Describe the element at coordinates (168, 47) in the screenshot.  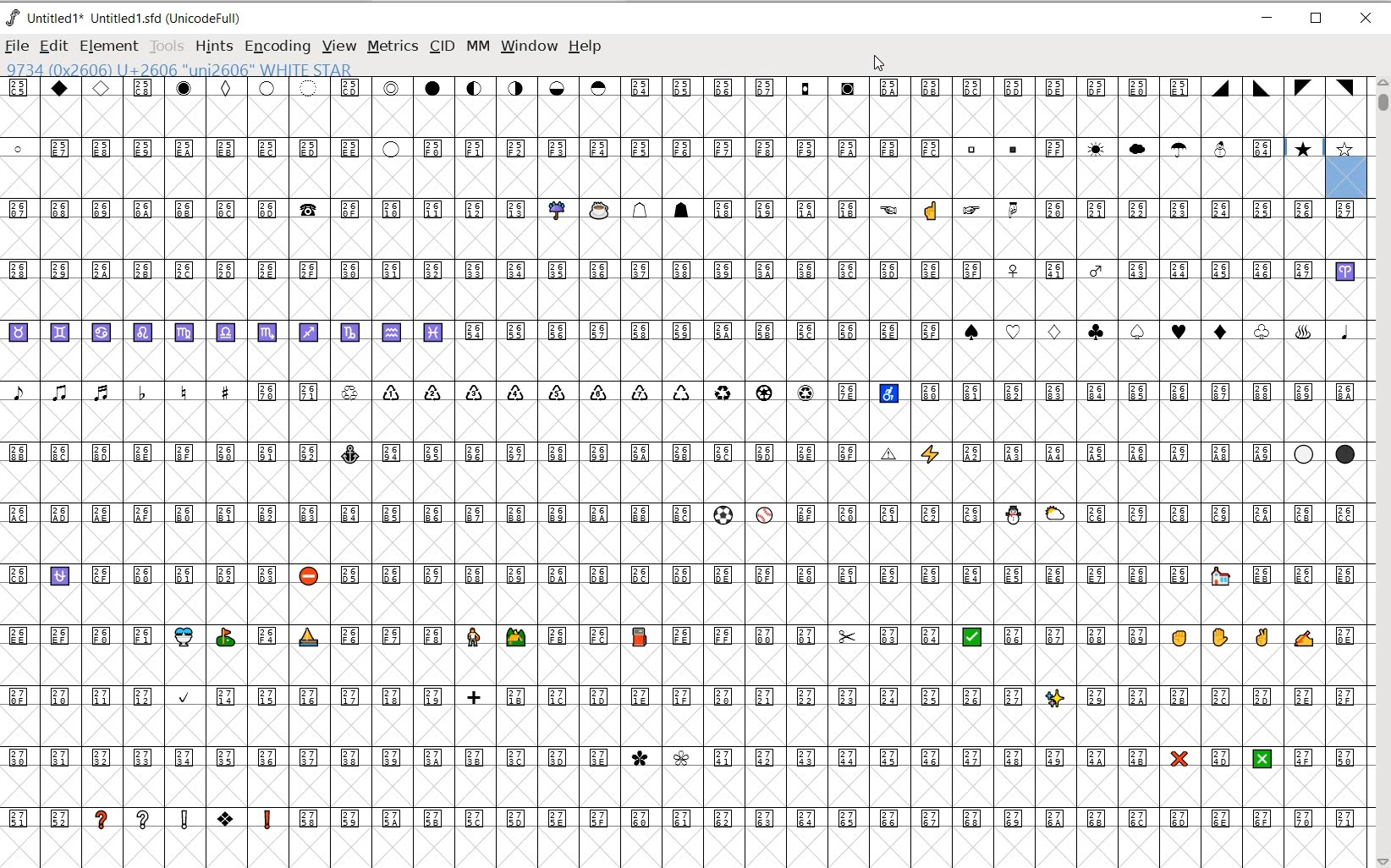
I see `TOOLS` at that location.